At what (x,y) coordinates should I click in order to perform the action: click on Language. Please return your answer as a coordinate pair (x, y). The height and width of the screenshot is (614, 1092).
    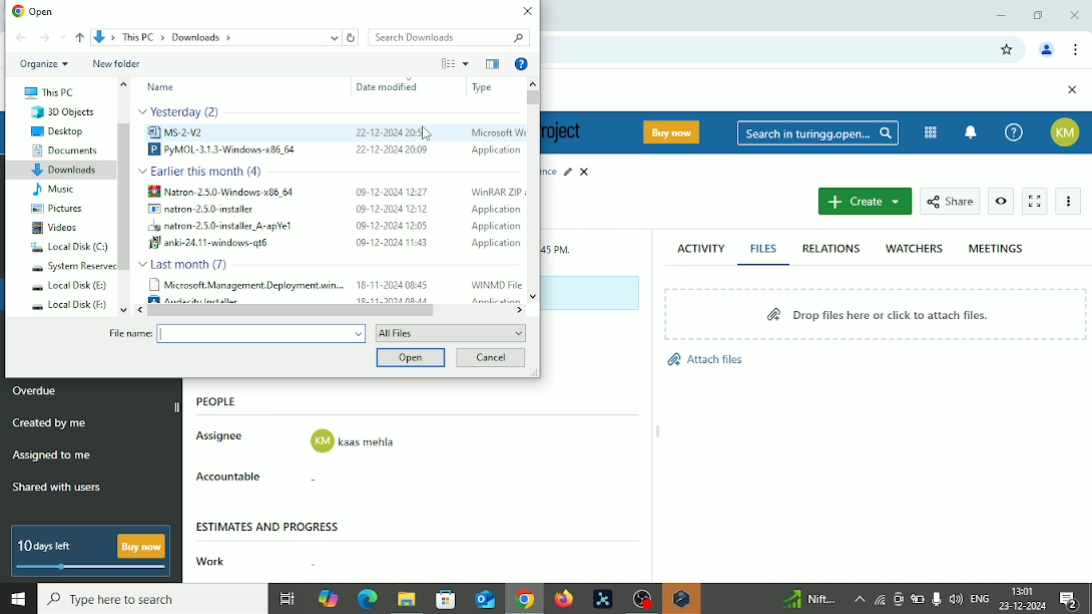
    Looking at the image, I should click on (981, 599).